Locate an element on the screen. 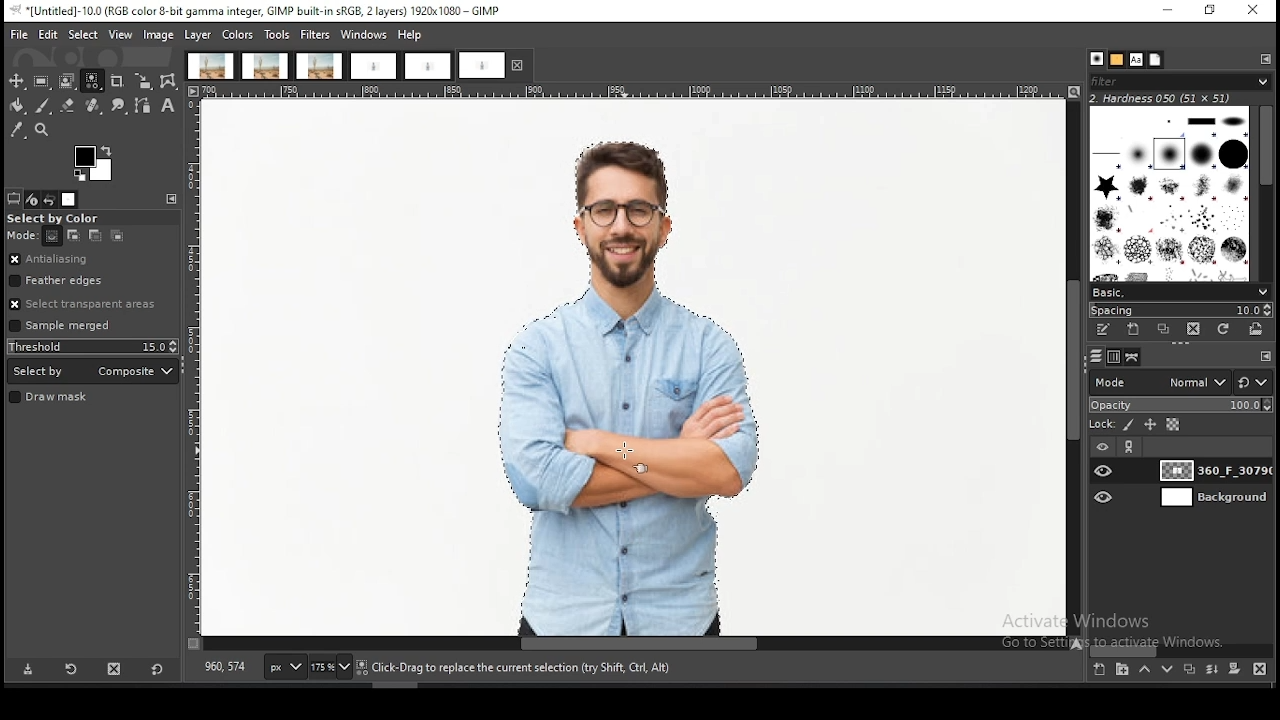 This screenshot has width=1280, height=720. tool options is located at coordinates (14, 199).